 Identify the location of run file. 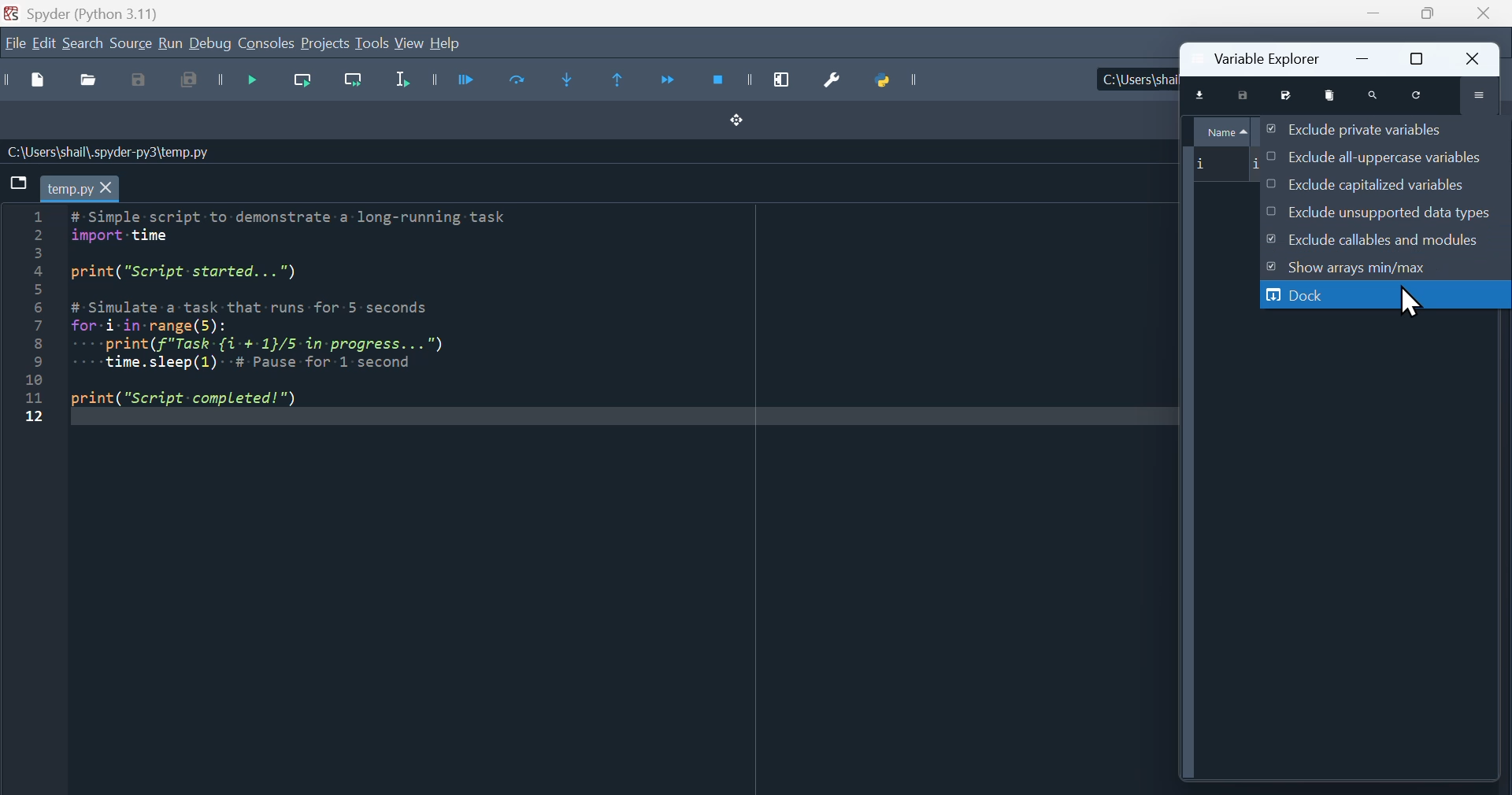
(450, 79).